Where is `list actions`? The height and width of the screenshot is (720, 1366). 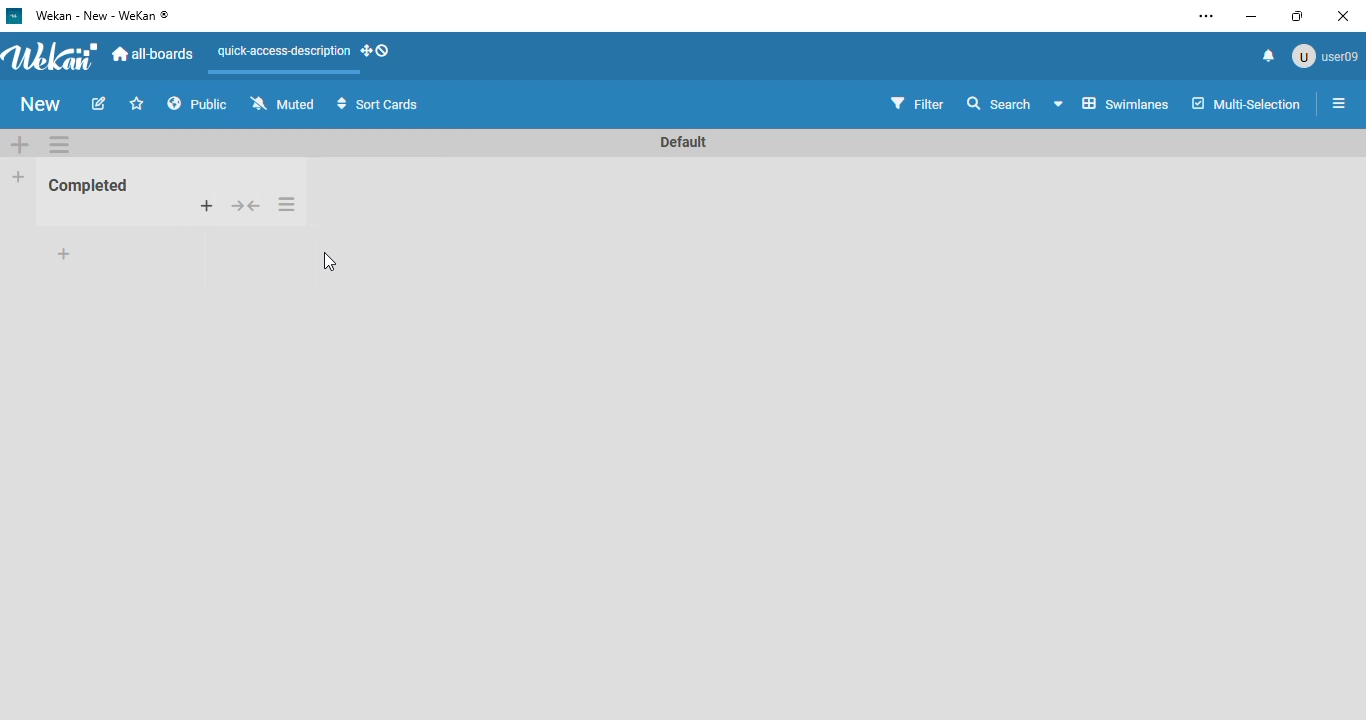 list actions is located at coordinates (286, 203).